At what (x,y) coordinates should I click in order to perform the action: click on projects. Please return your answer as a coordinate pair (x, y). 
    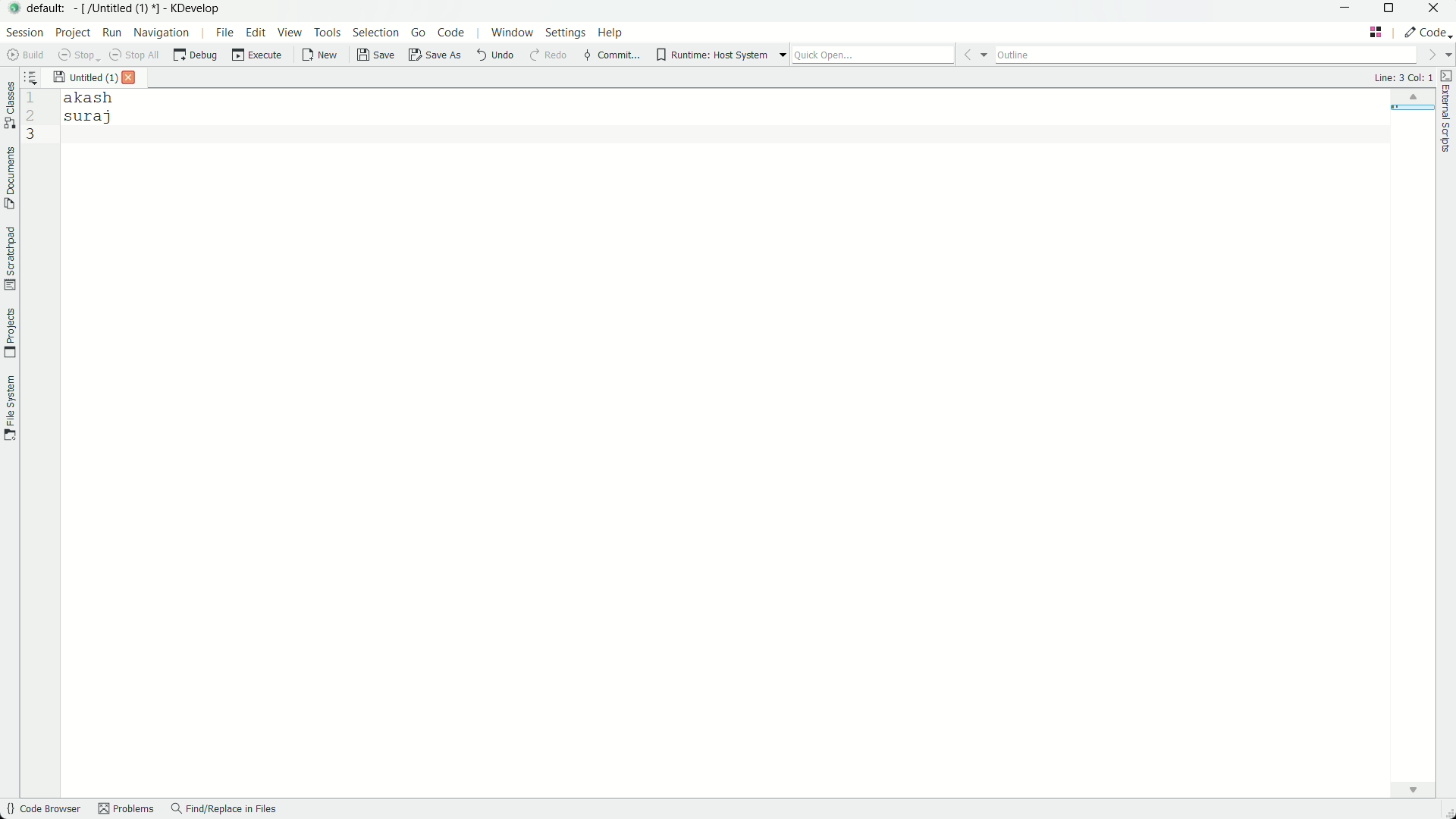
    Looking at the image, I should click on (10, 334).